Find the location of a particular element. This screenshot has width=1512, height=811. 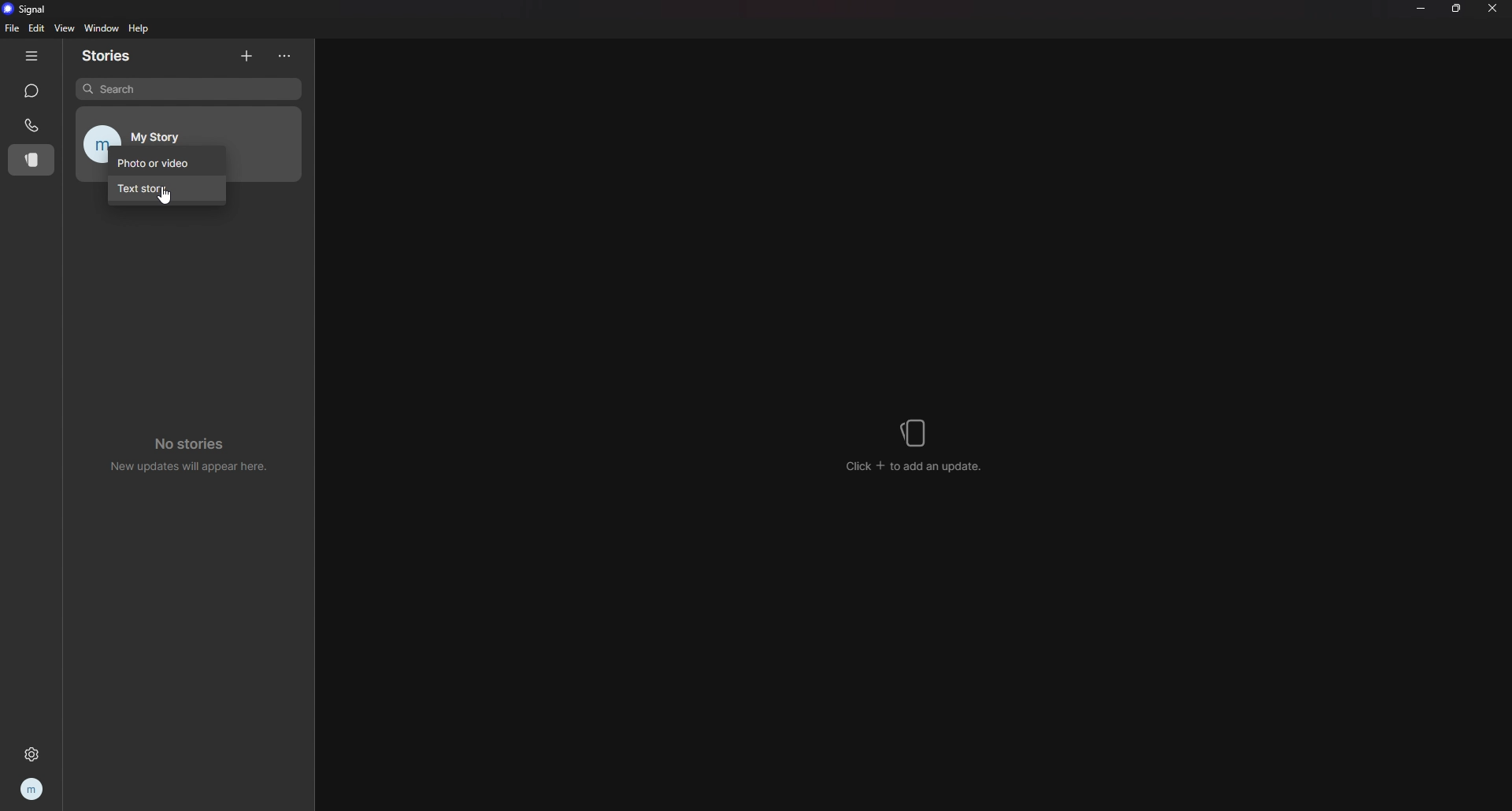

view is located at coordinates (64, 28).